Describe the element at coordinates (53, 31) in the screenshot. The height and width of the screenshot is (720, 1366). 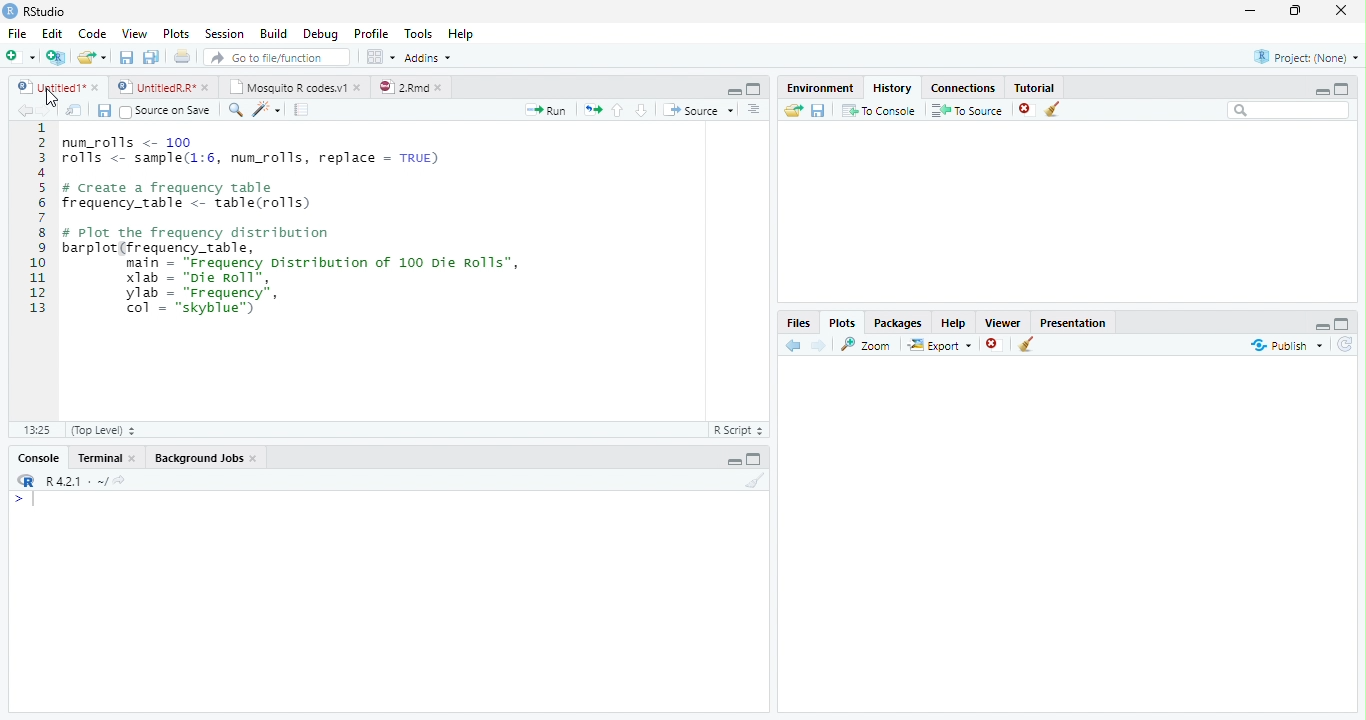
I see `Edit` at that location.